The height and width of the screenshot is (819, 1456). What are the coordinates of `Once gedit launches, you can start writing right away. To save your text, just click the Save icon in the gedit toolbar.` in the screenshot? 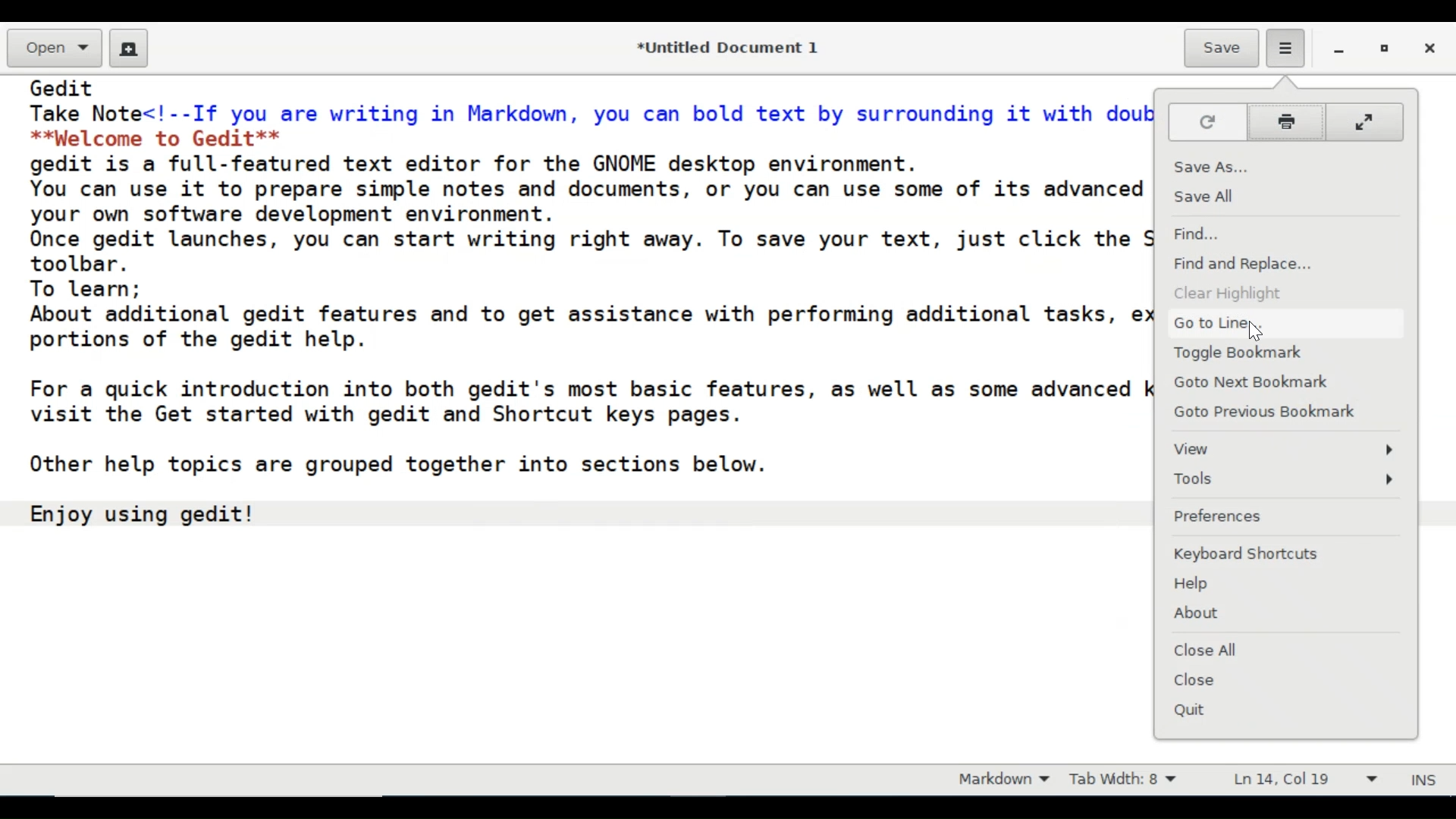 It's located at (595, 252).